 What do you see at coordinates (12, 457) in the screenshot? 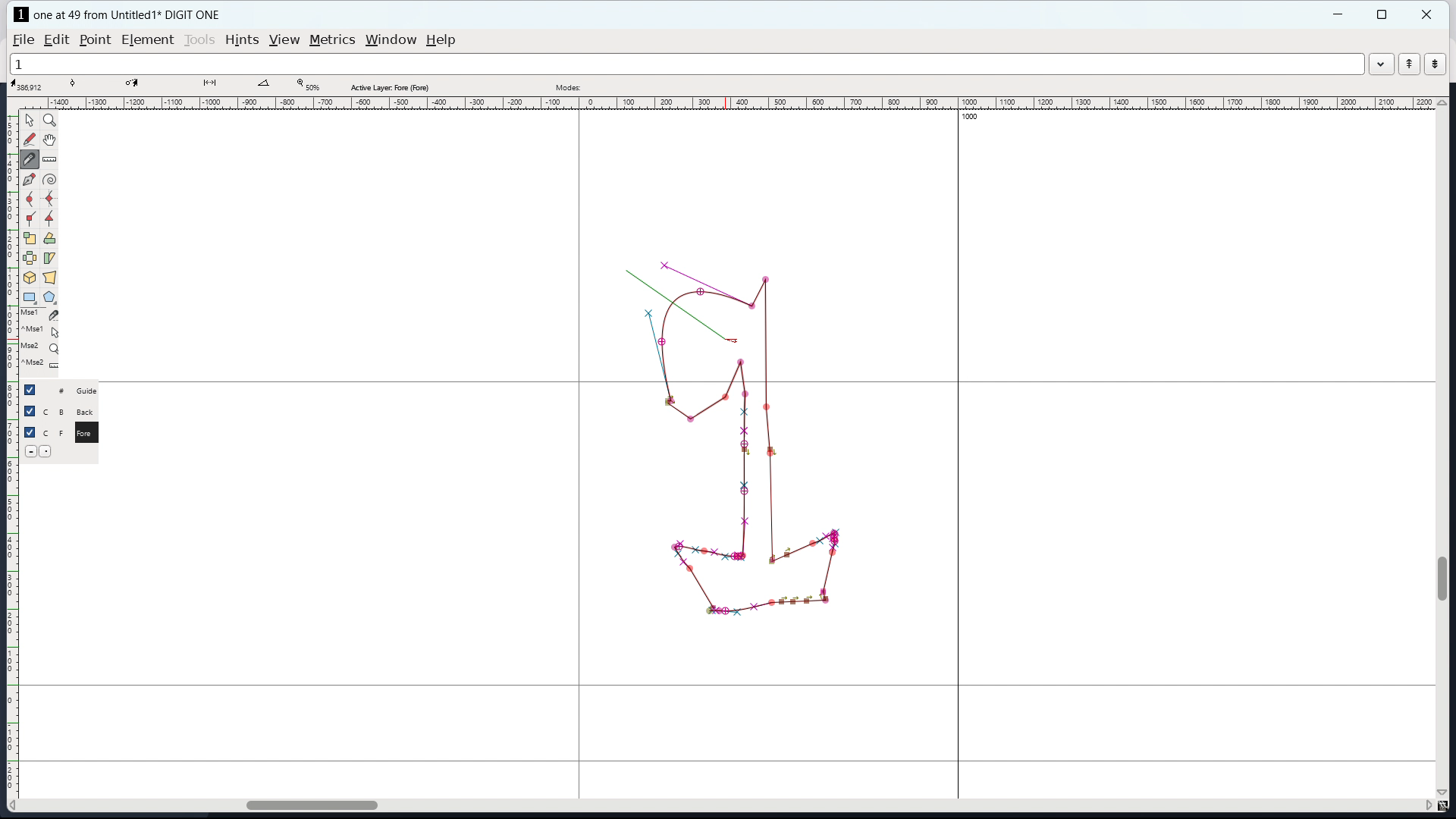
I see `vertical ruler` at bounding box center [12, 457].